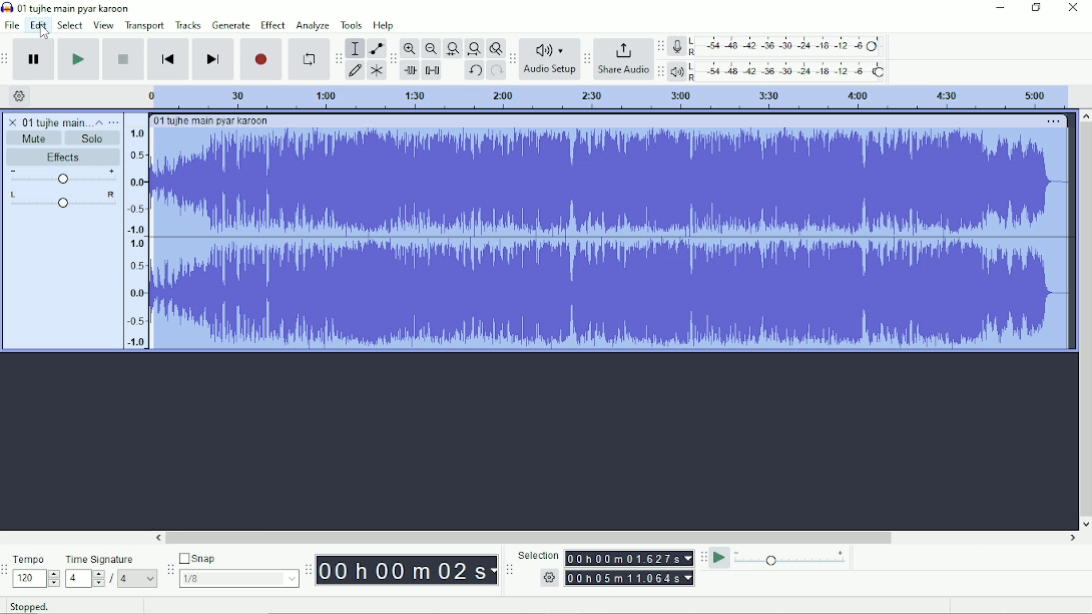 Image resolution: width=1092 pixels, height=614 pixels. What do you see at coordinates (605, 97) in the screenshot?
I see `Timeline` at bounding box center [605, 97].